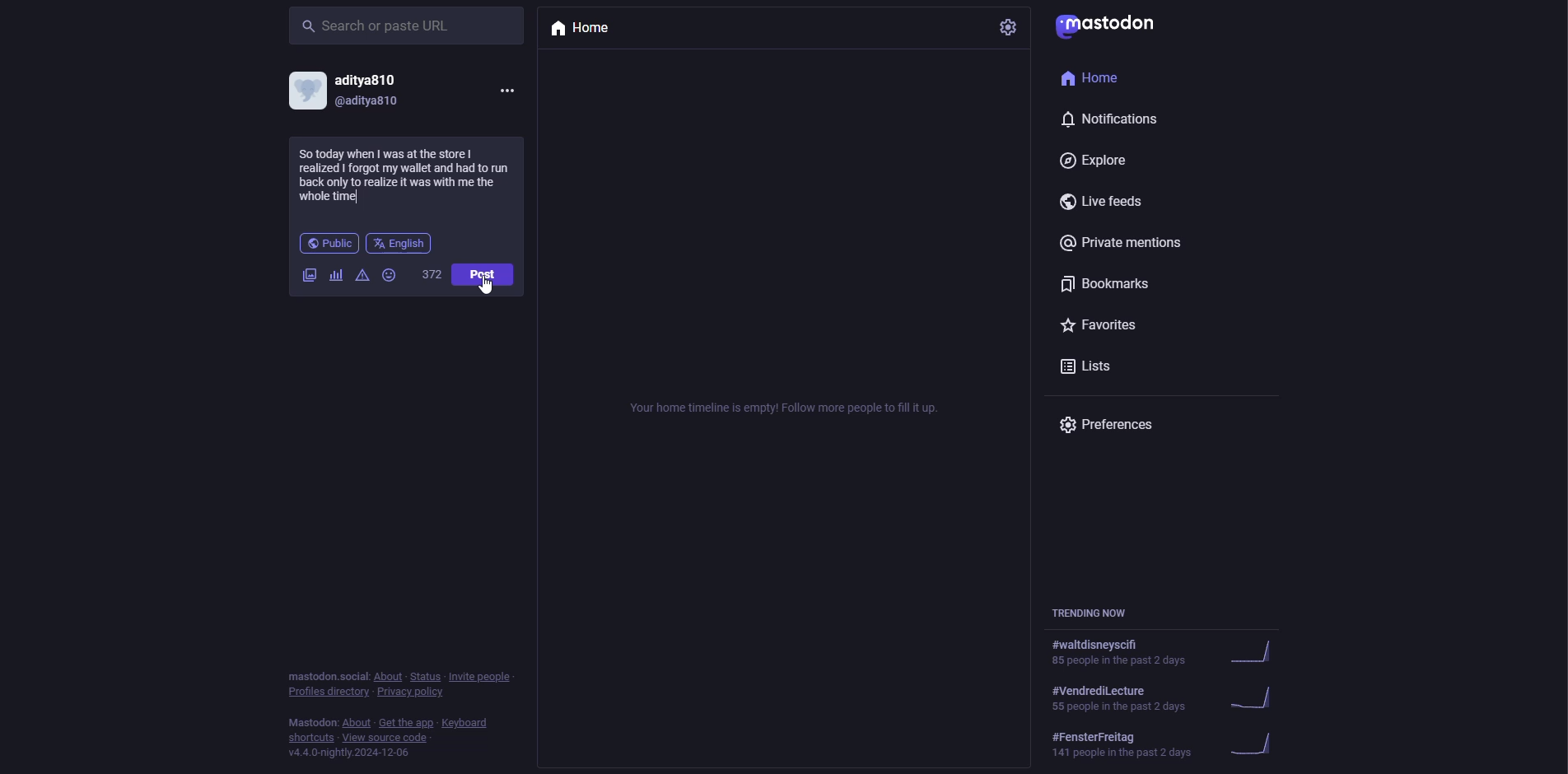 Image resolution: width=1568 pixels, height=774 pixels. I want to click on empty, so click(791, 405).